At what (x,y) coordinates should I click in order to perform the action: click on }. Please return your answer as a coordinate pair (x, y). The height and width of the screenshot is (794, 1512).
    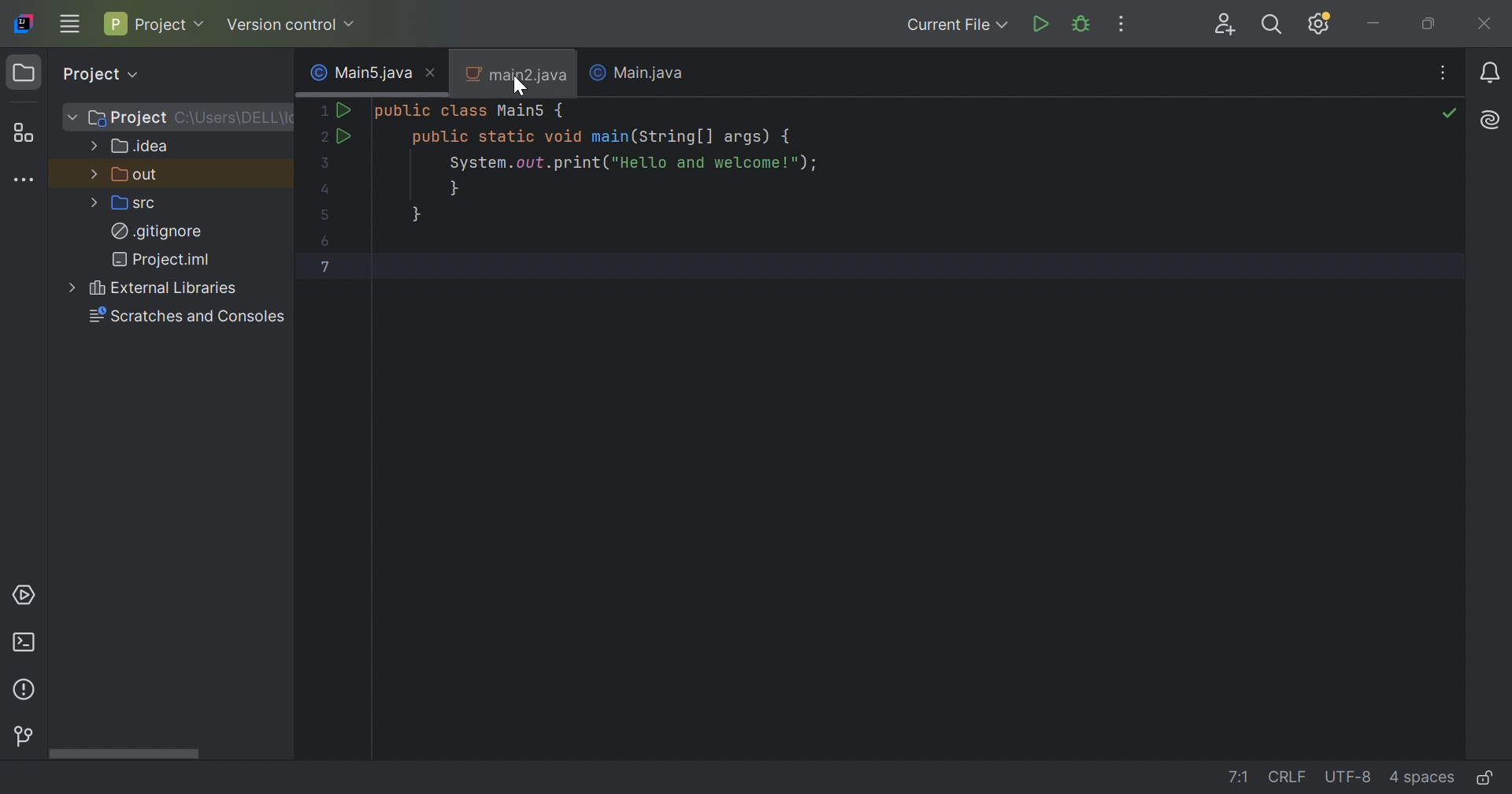
    Looking at the image, I should click on (459, 187).